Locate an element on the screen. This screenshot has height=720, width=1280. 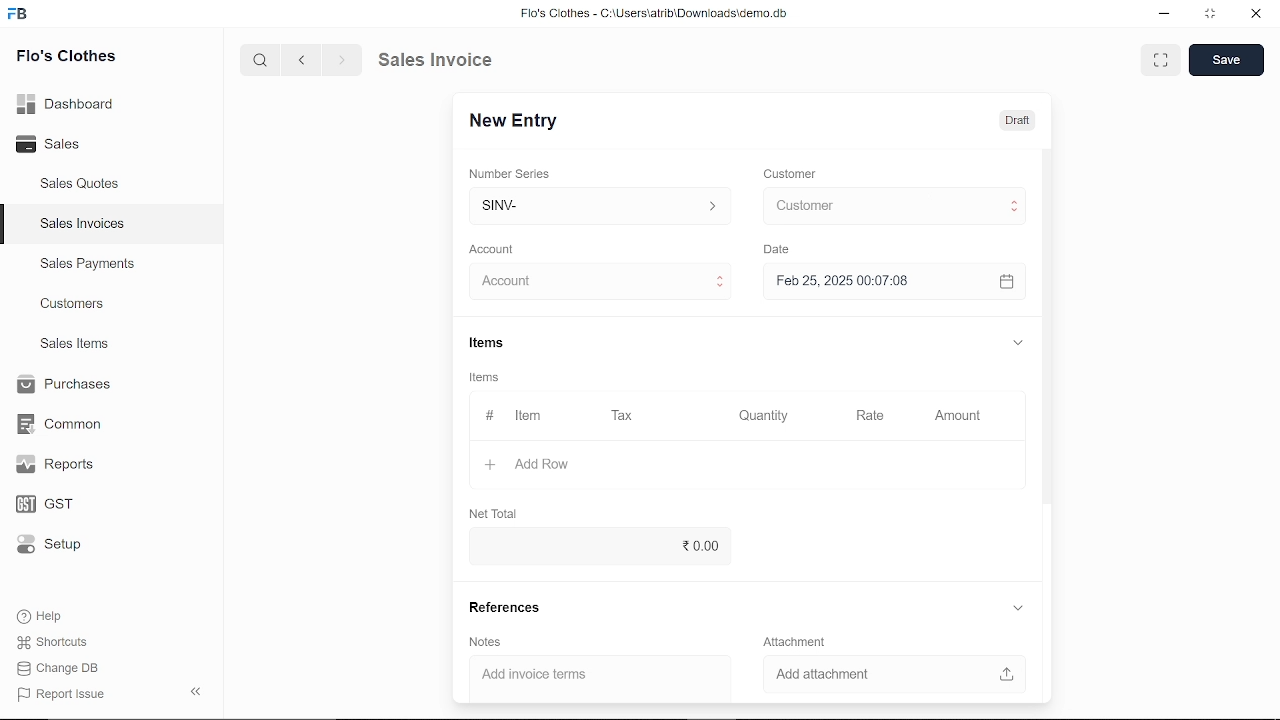
Sales Invoices is located at coordinates (82, 224).